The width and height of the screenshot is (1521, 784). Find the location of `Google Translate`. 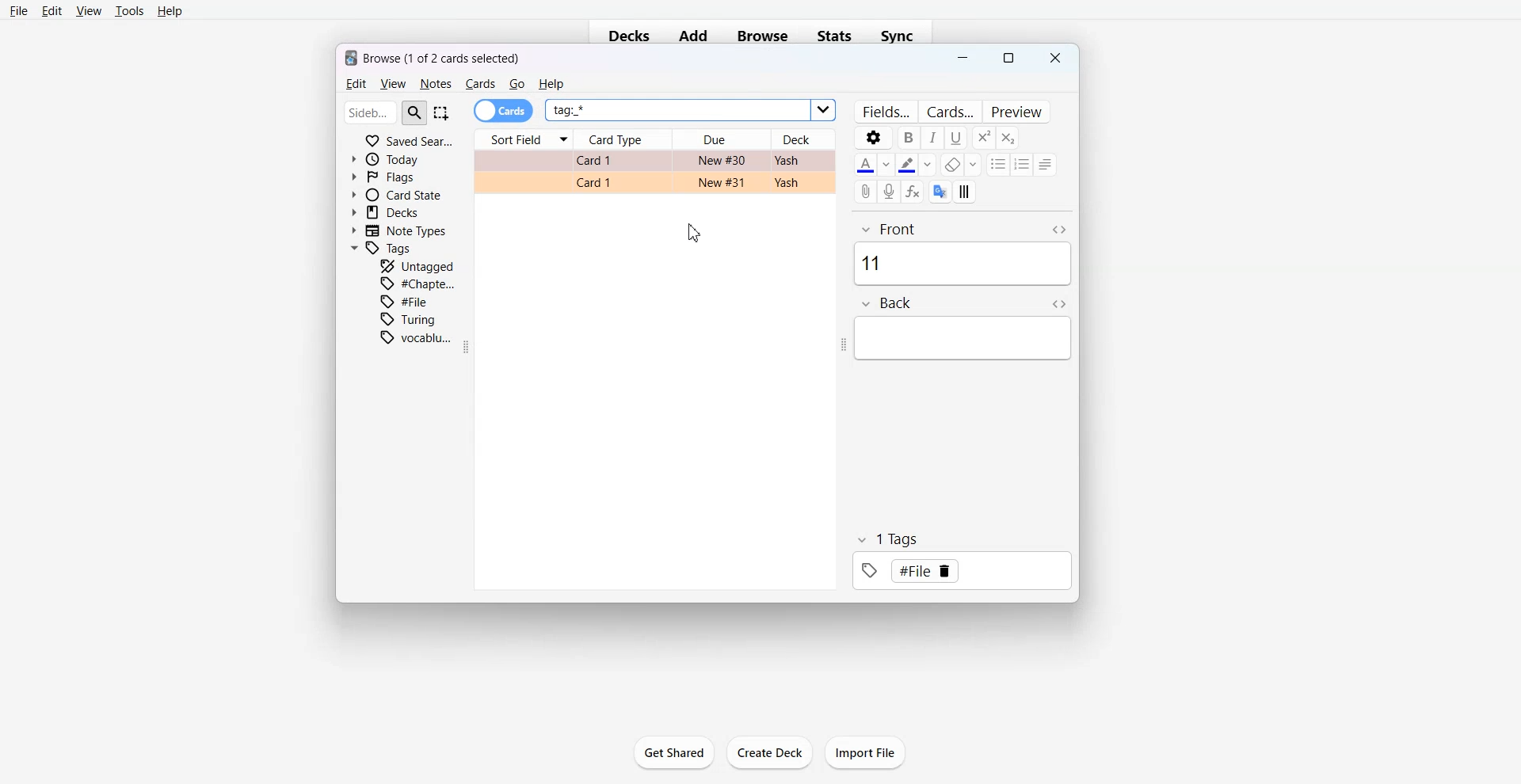

Google Translate is located at coordinates (940, 191).